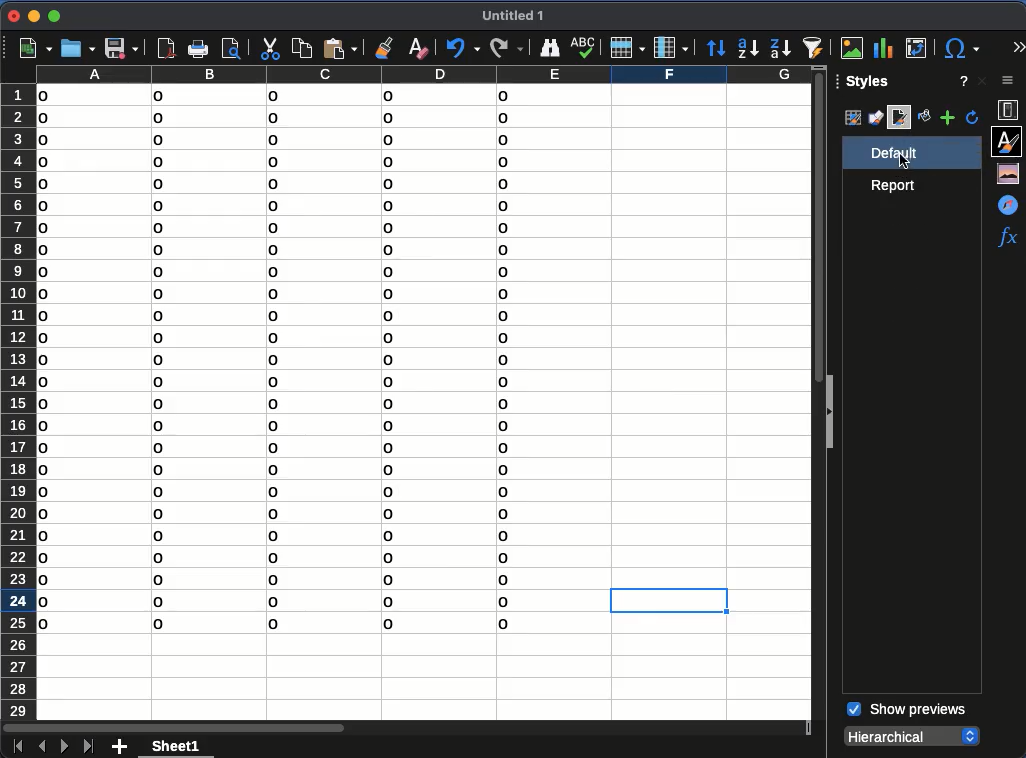  I want to click on hierarchical , so click(914, 735).